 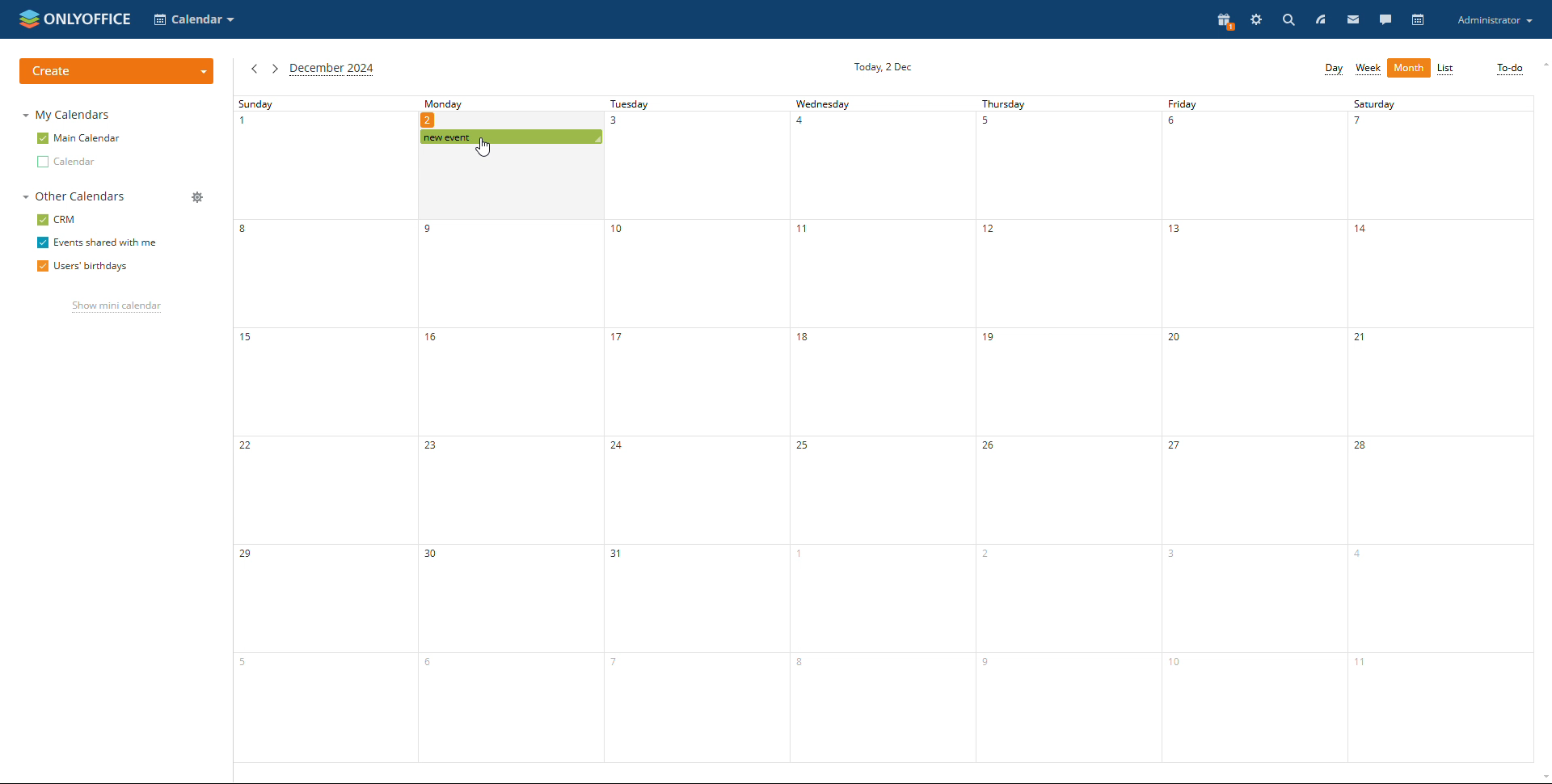 What do you see at coordinates (1511, 70) in the screenshot?
I see `to-do` at bounding box center [1511, 70].